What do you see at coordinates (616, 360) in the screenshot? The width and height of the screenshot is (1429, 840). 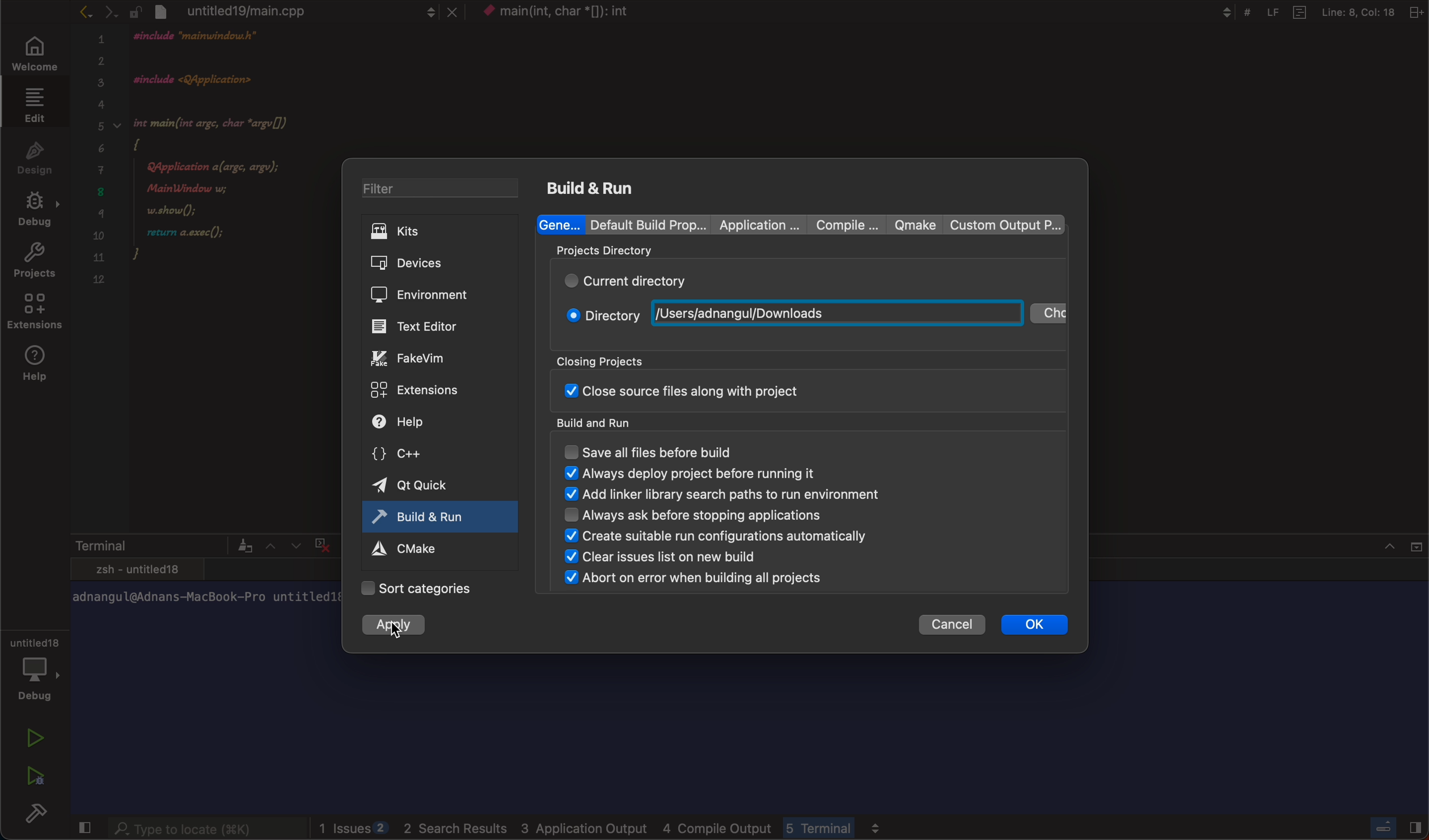 I see `closing projects` at bounding box center [616, 360].